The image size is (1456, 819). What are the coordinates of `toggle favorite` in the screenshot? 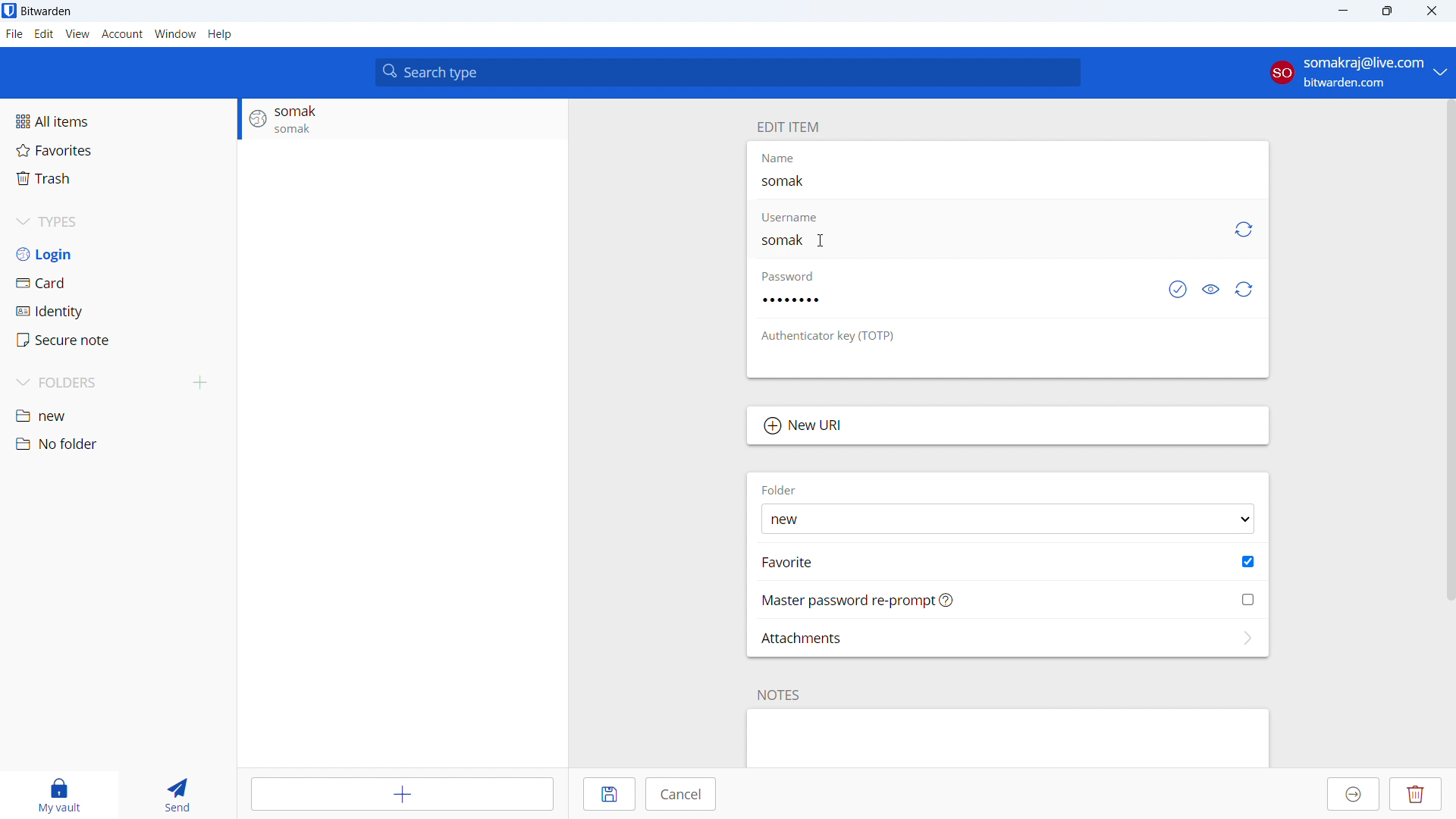 It's located at (1248, 561).